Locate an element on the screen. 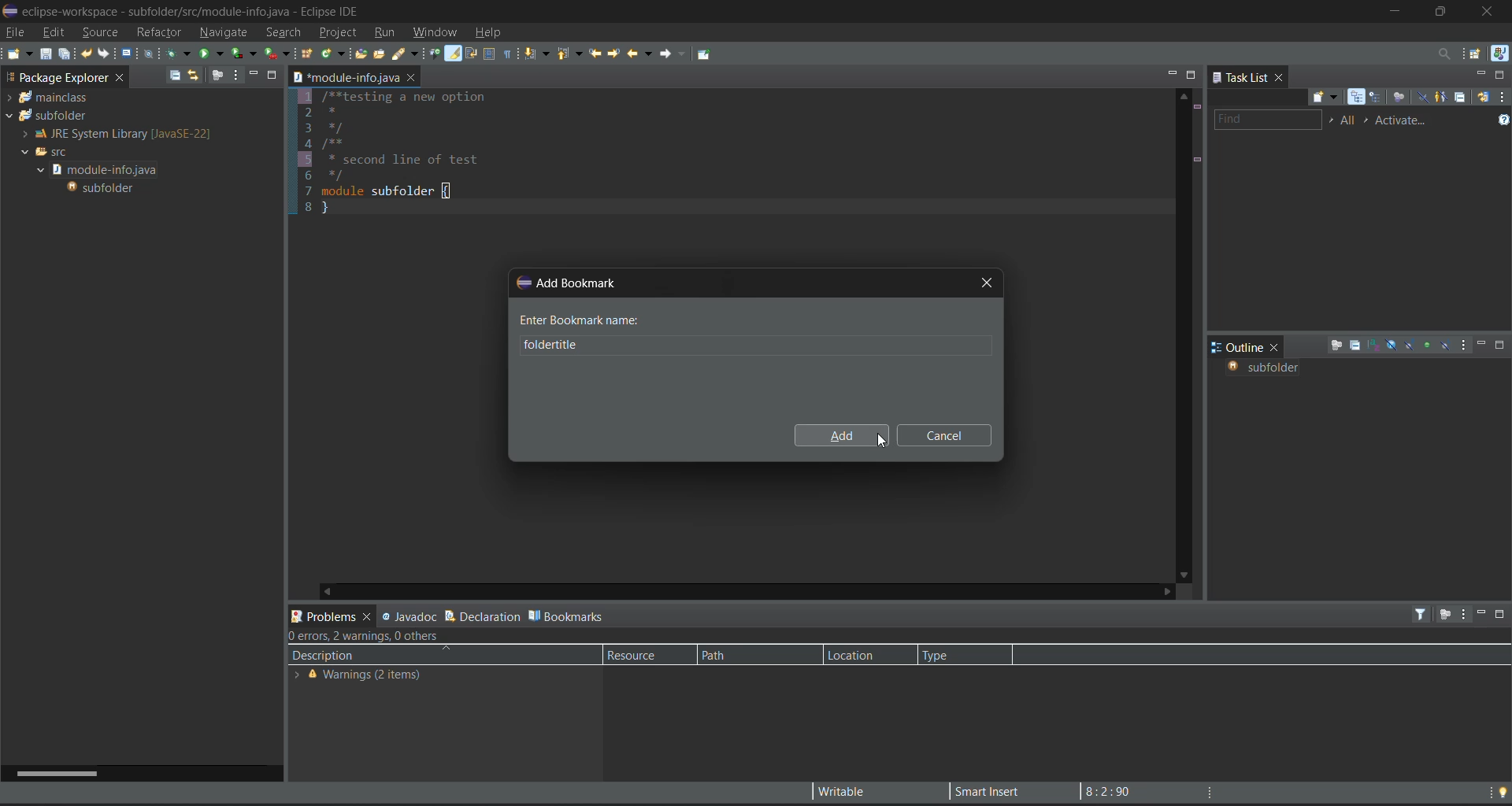 This screenshot has height=806, width=1512. maximize is located at coordinates (273, 74).